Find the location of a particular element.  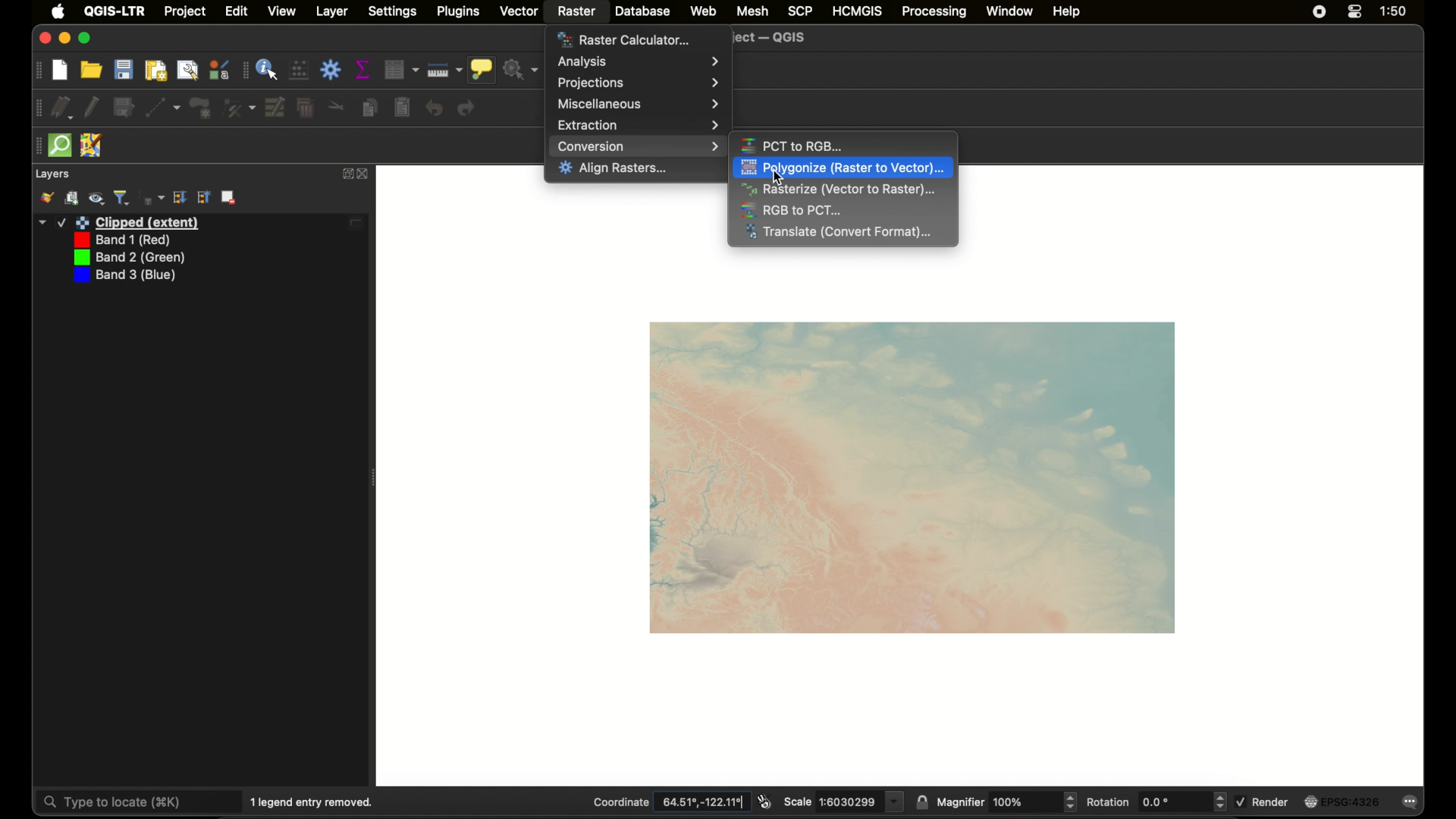

drag handke is located at coordinates (37, 108).